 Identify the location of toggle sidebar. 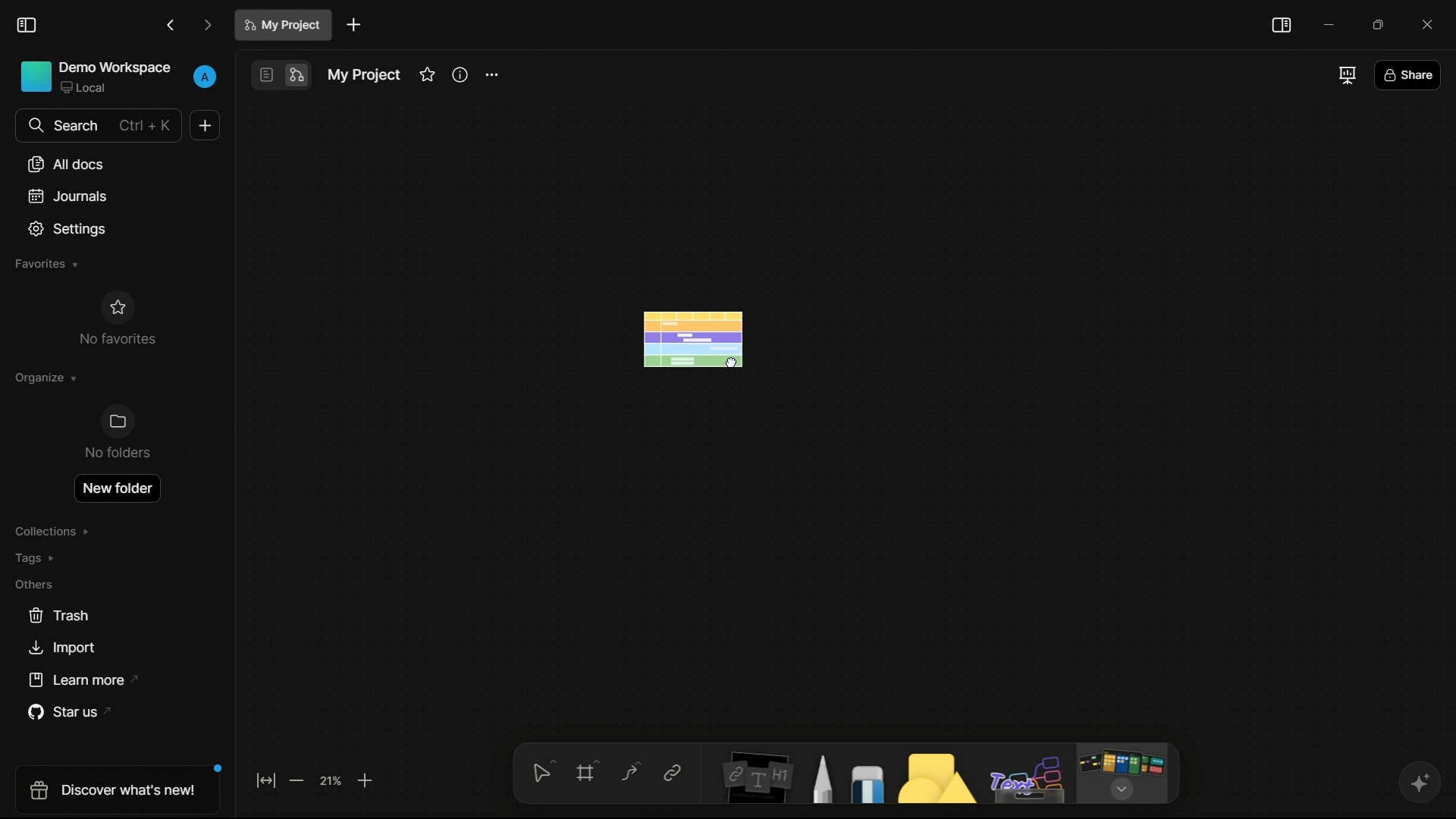
(1282, 27).